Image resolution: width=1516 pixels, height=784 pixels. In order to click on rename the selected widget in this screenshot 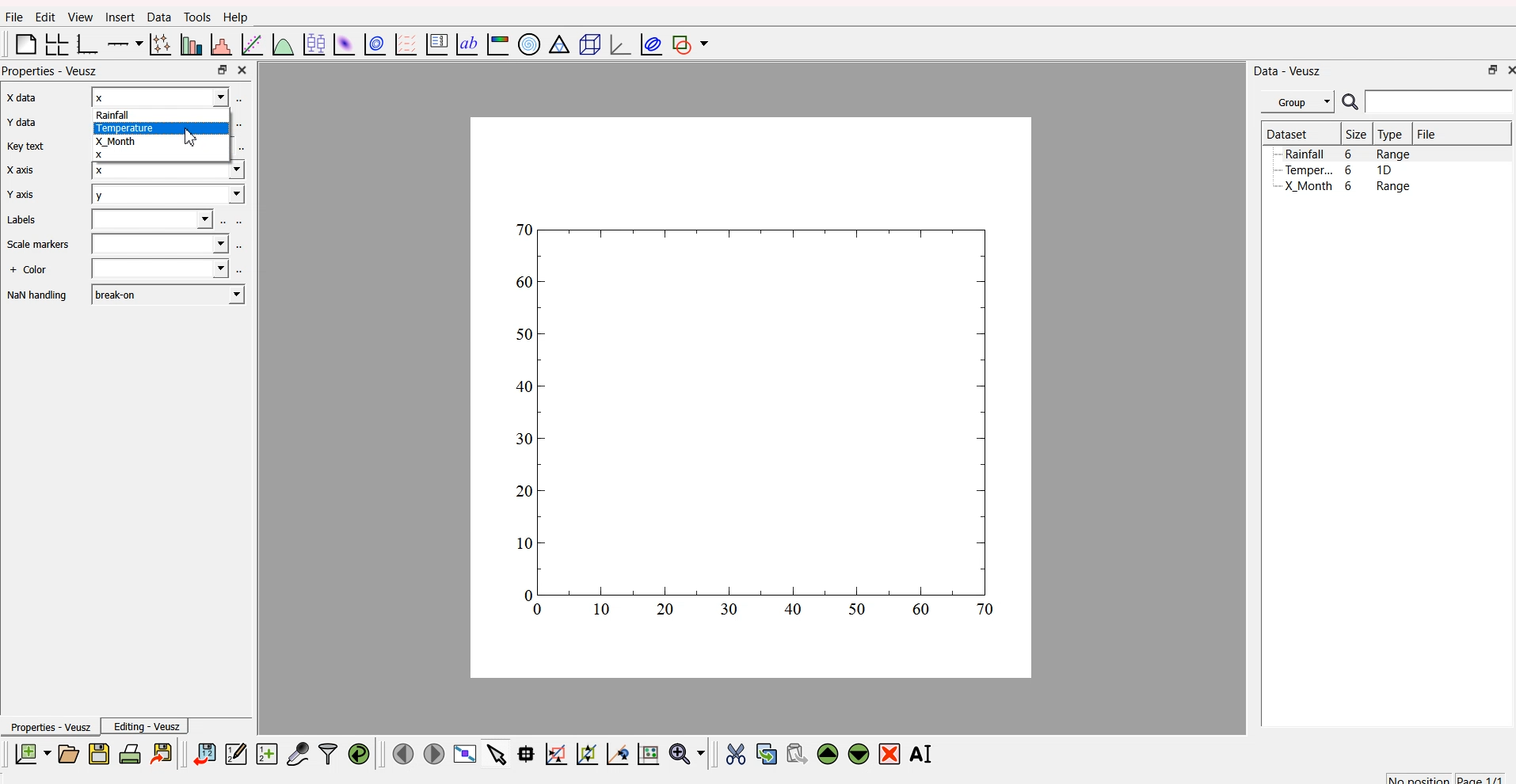, I will do `click(924, 753)`.